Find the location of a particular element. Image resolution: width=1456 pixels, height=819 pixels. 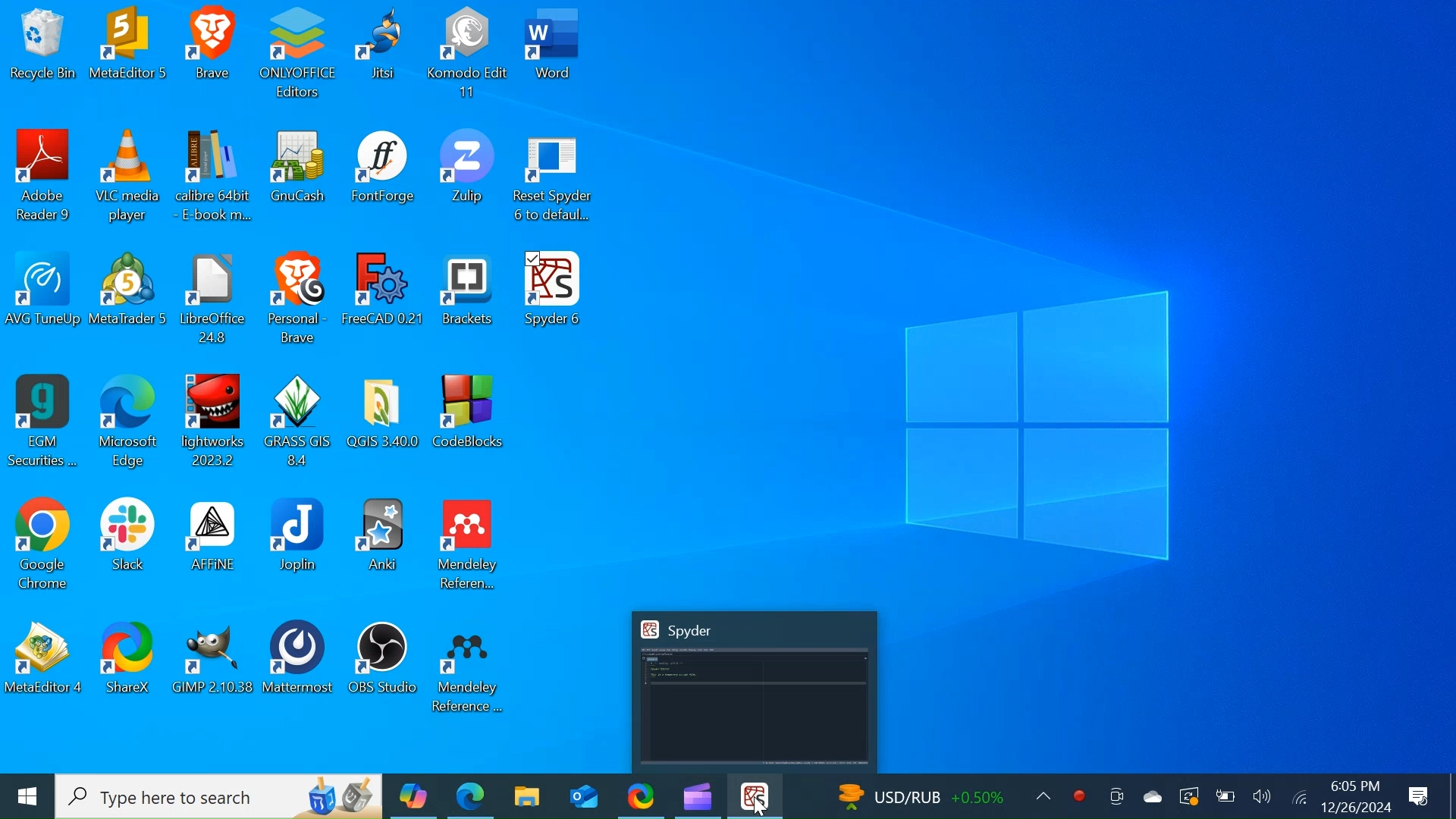

Speaker is located at coordinates (1263, 796).